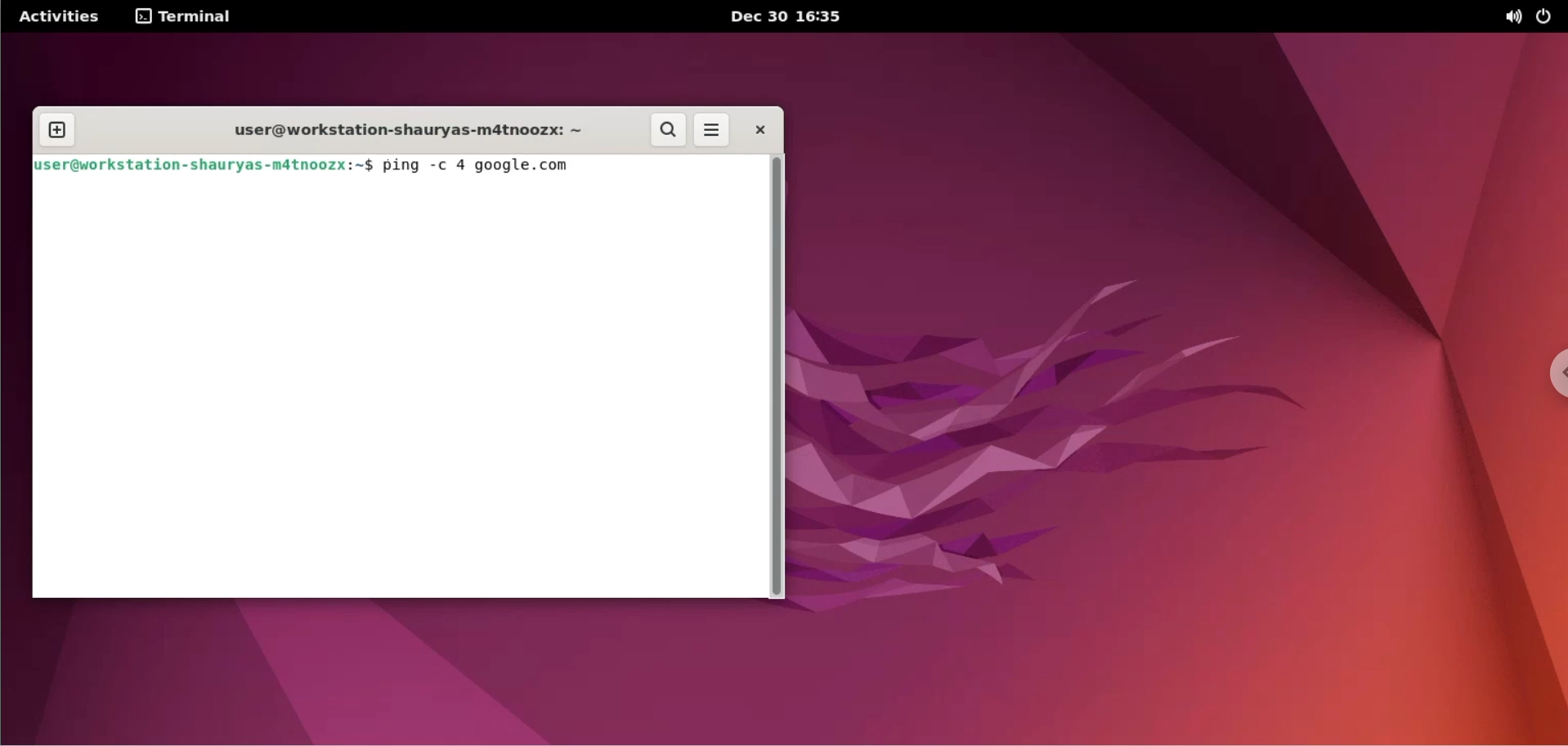 This screenshot has width=1568, height=746. I want to click on Dec 30 16:35, so click(788, 16).